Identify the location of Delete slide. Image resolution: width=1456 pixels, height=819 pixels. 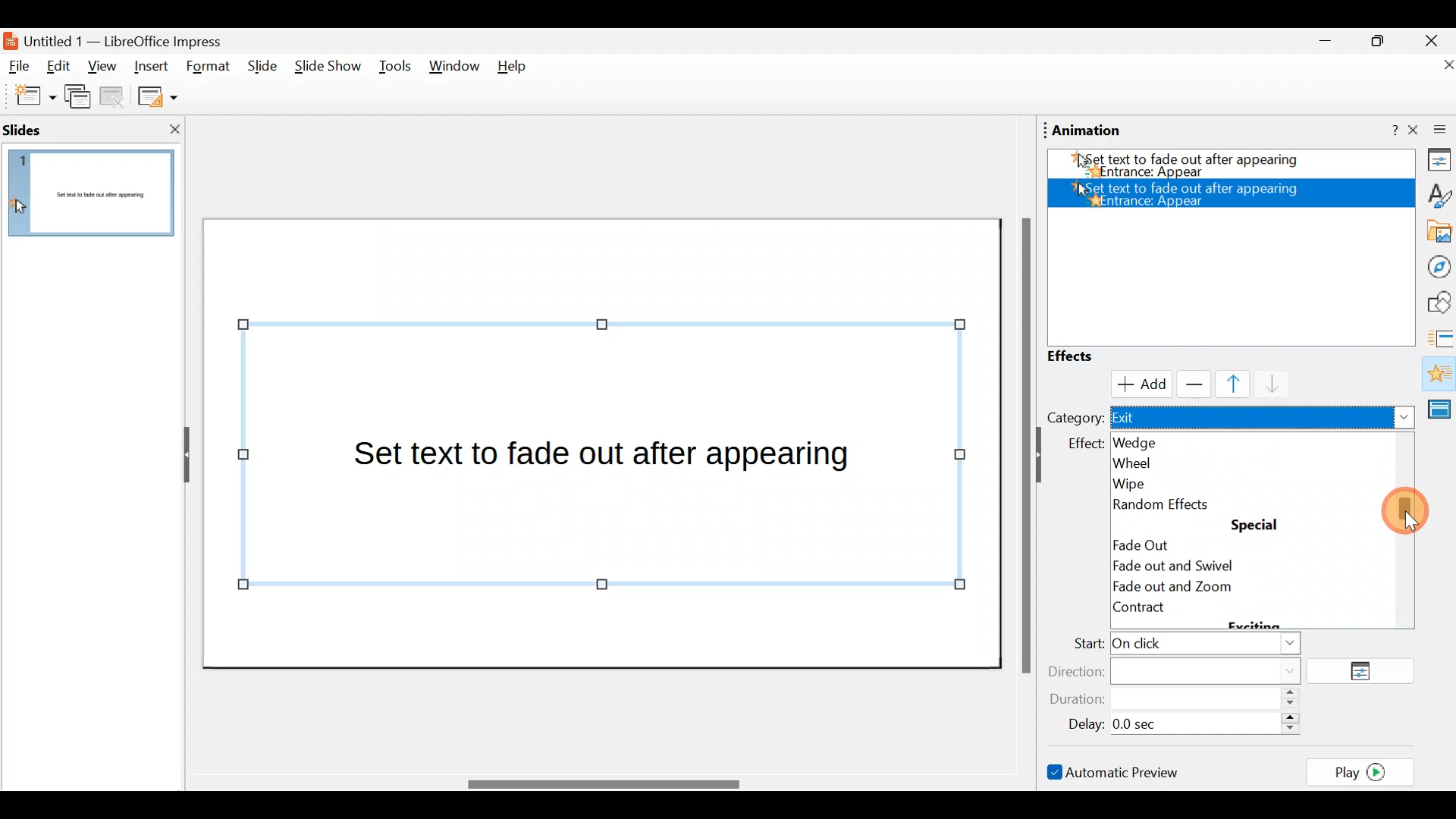
(115, 99).